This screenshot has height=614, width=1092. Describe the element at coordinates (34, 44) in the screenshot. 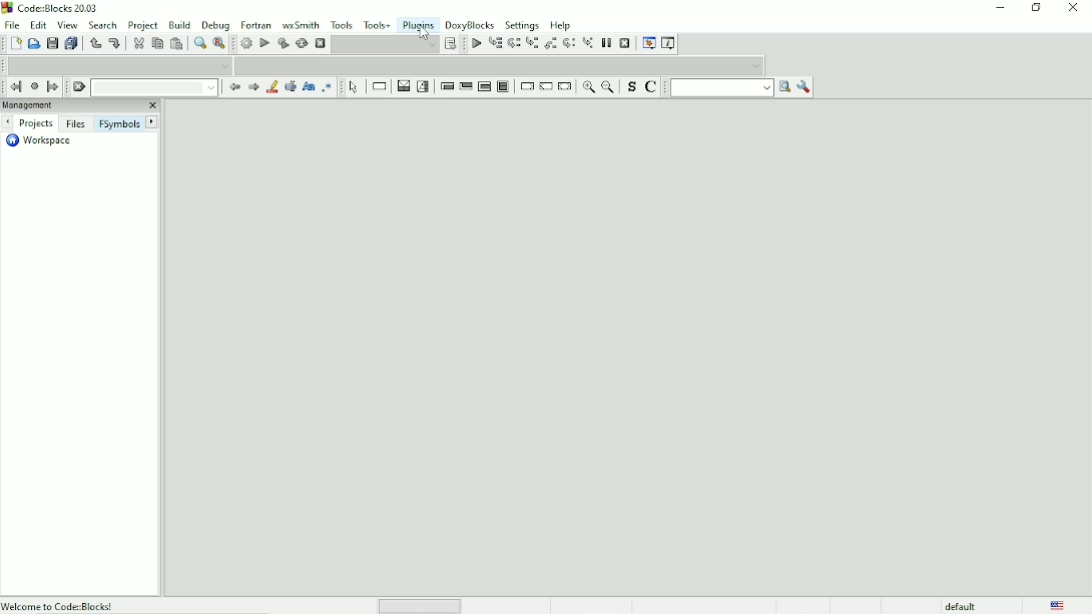

I see `Open` at that location.